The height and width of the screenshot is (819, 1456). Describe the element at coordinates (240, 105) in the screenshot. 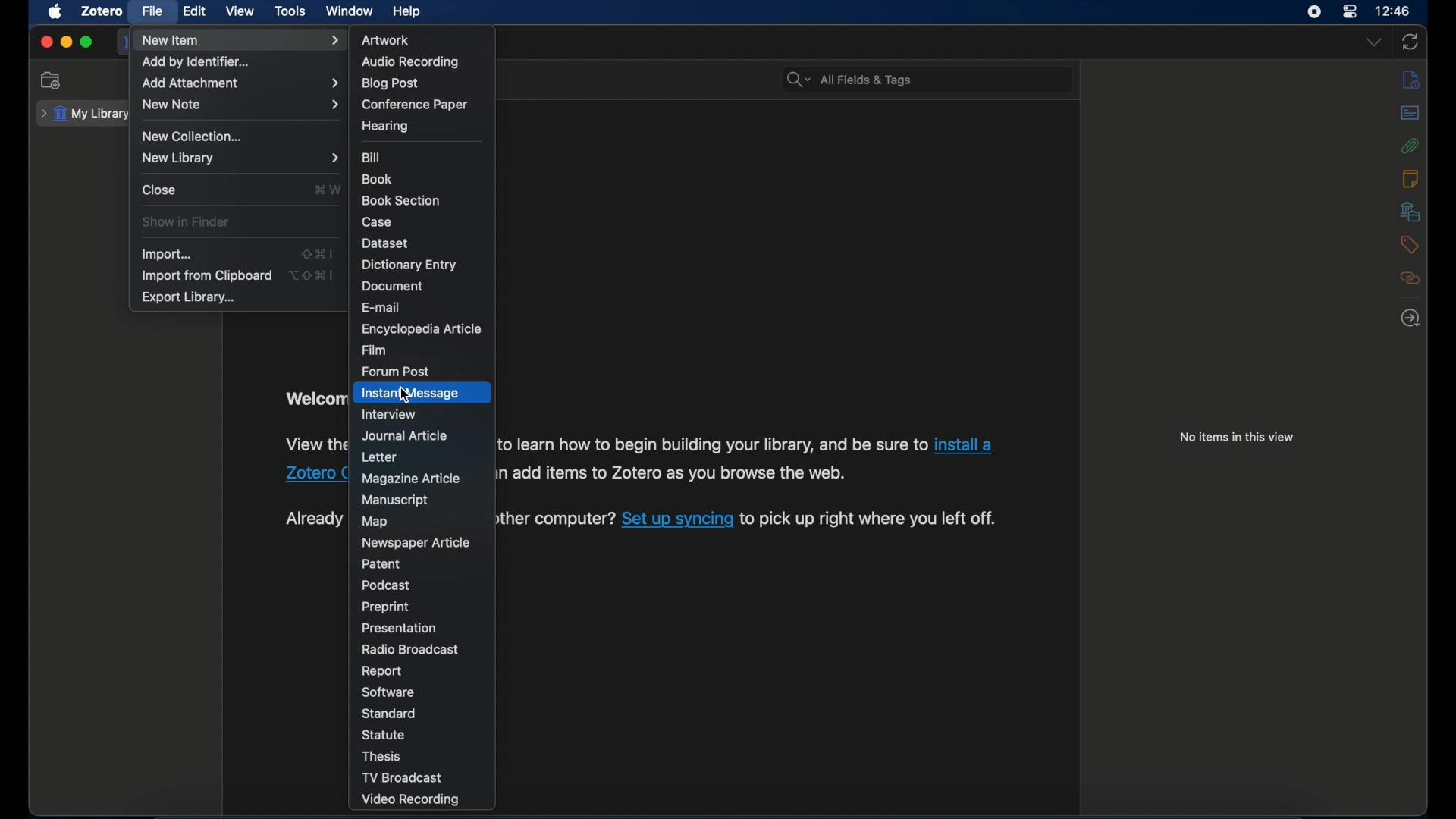

I see `new note` at that location.